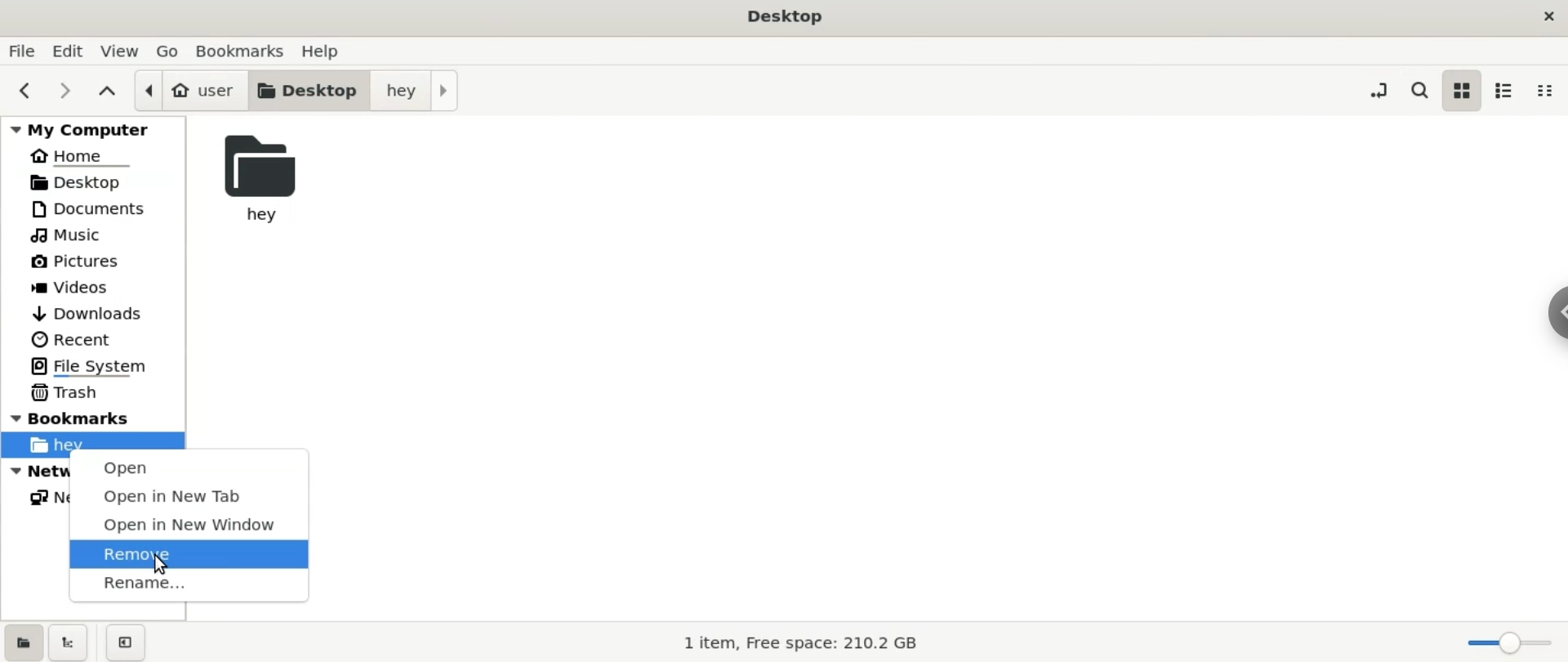  Describe the element at coordinates (1416, 89) in the screenshot. I see `search ` at that location.